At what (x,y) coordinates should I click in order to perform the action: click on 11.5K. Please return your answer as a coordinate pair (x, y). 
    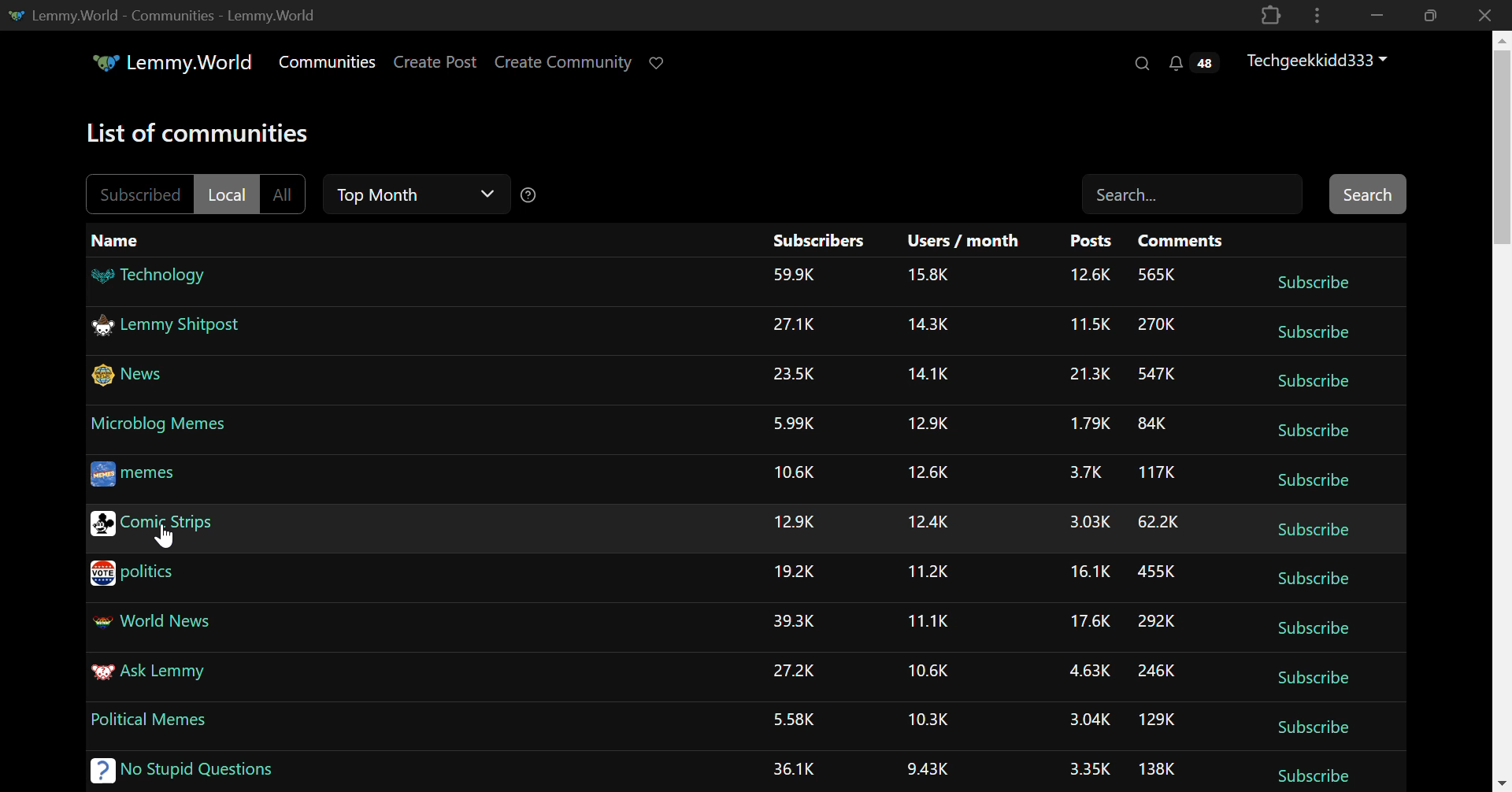
    Looking at the image, I should click on (1088, 324).